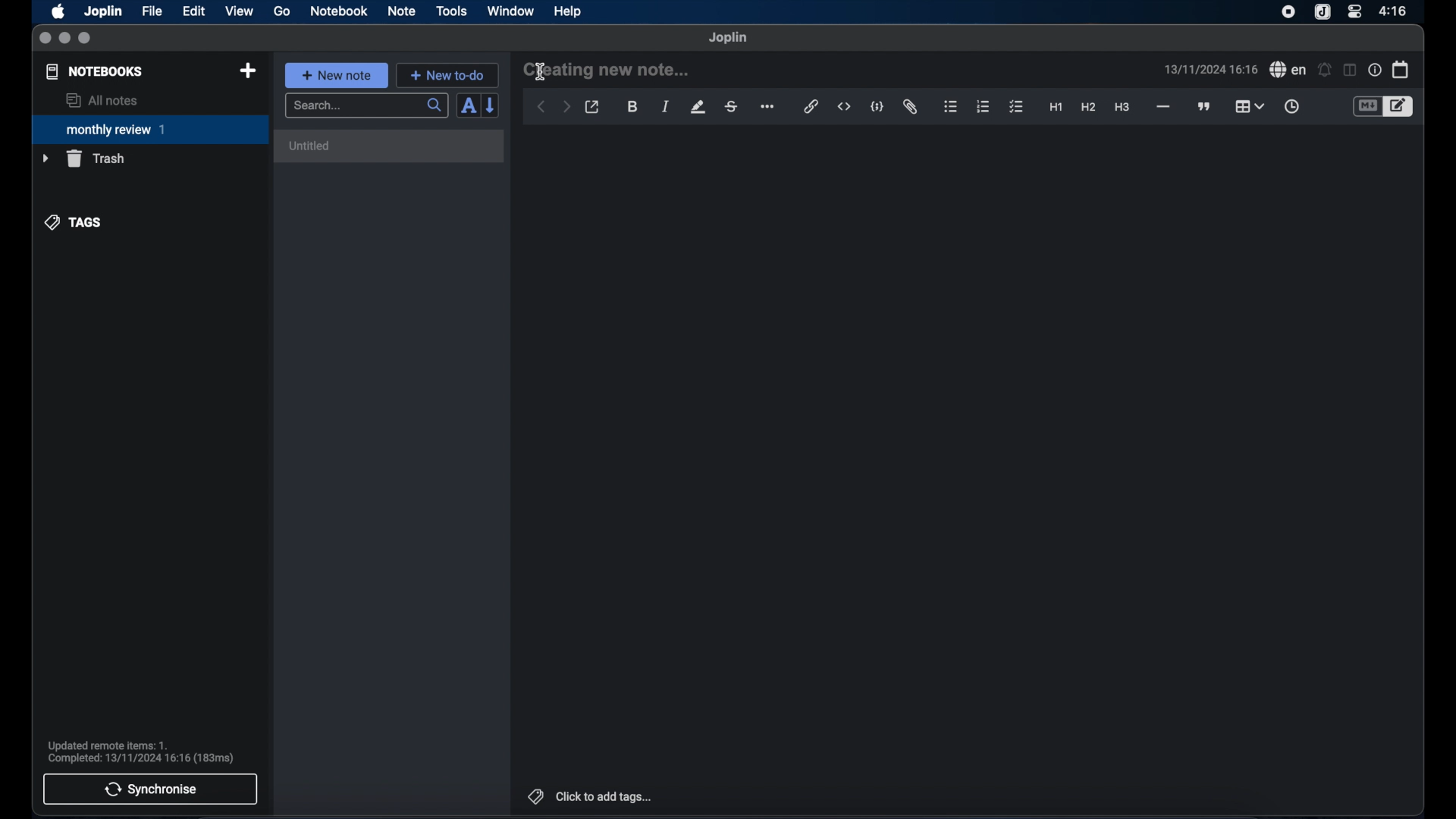 This screenshot has height=819, width=1456. Describe the element at coordinates (1249, 106) in the screenshot. I see `table` at that location.